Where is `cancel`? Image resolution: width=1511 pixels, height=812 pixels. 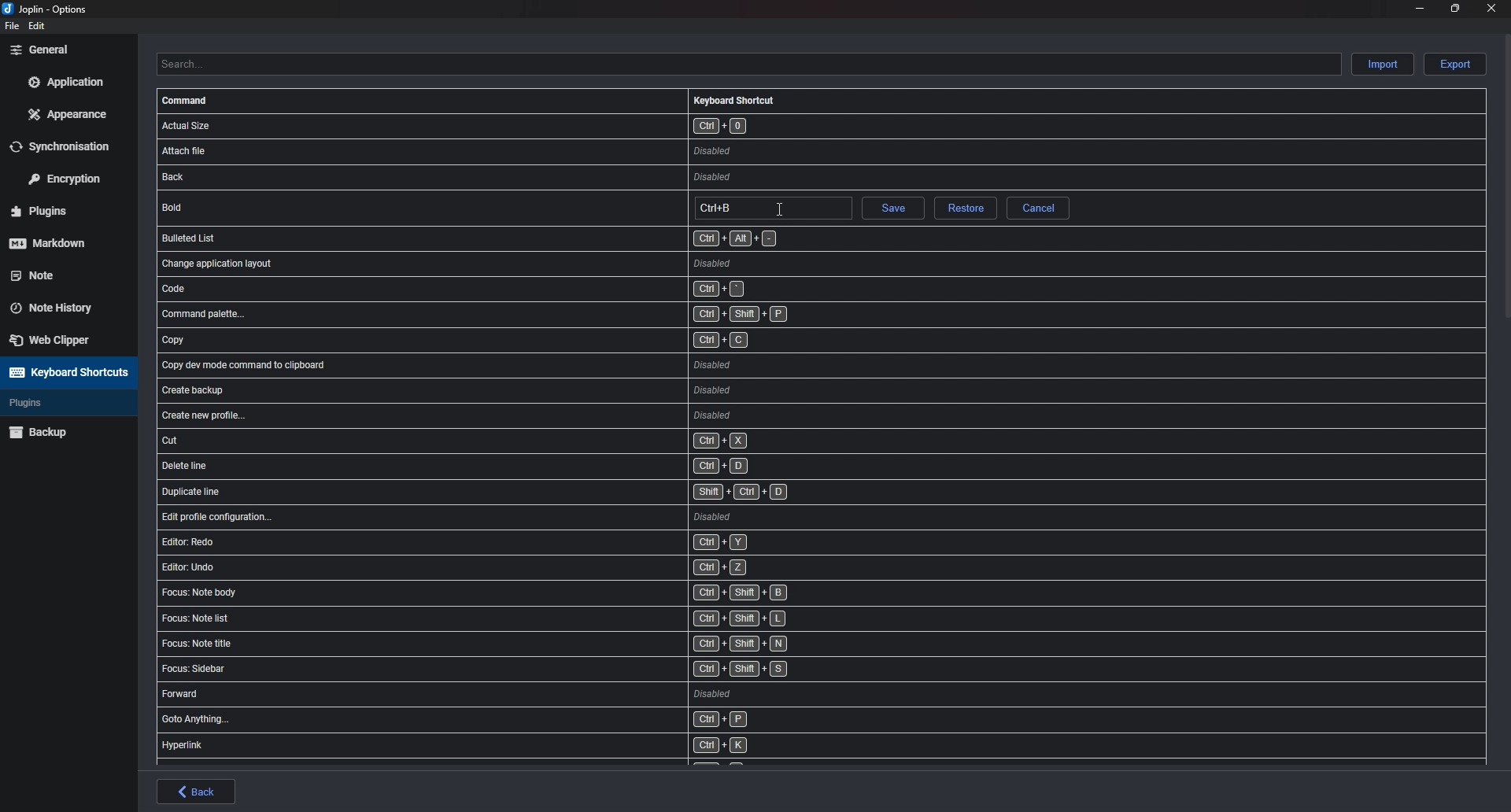
cancel is located at coordinates (1038, 208).